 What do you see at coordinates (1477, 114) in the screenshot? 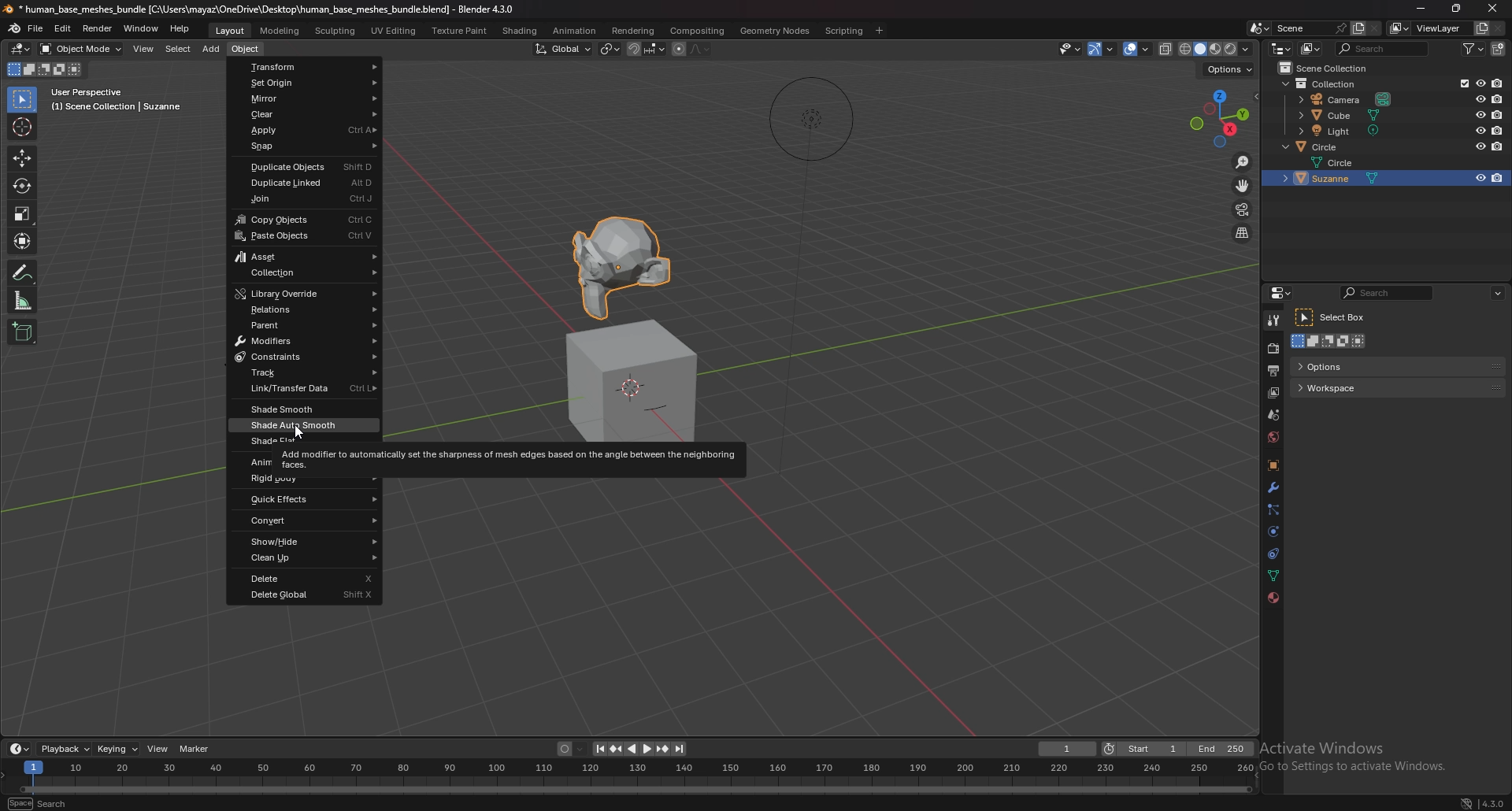
I see `hide in viewport` at bounding box center [1477, 114].